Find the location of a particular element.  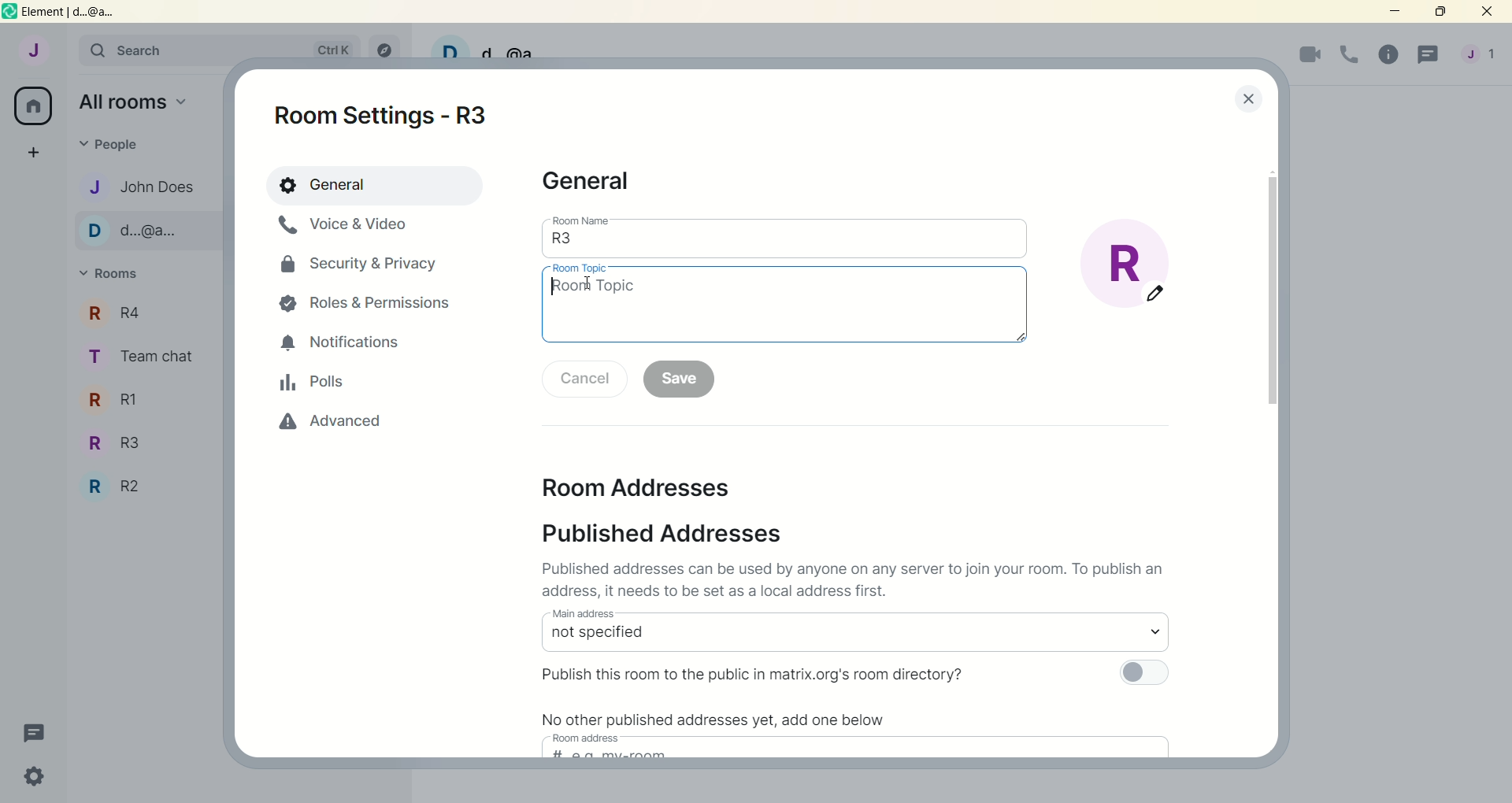

type pointer  is located at coordinates (555, 290).